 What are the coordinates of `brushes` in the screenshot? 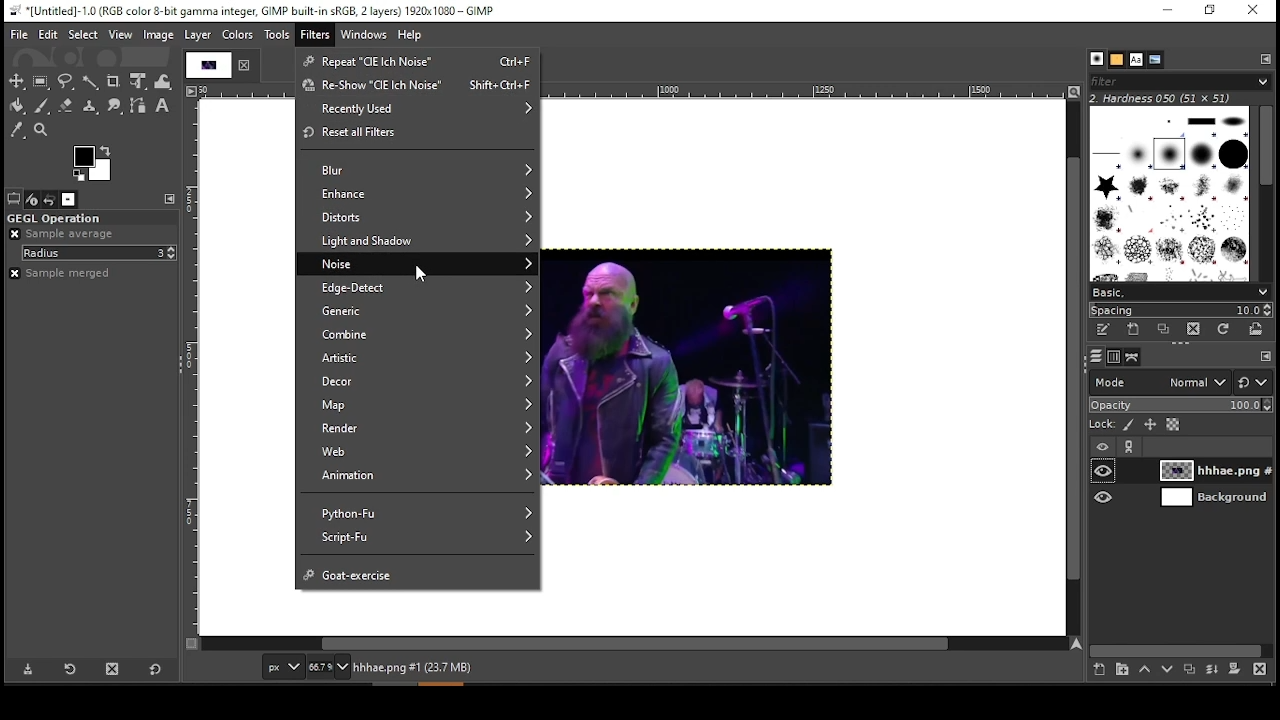 It's located at (1098, 59).